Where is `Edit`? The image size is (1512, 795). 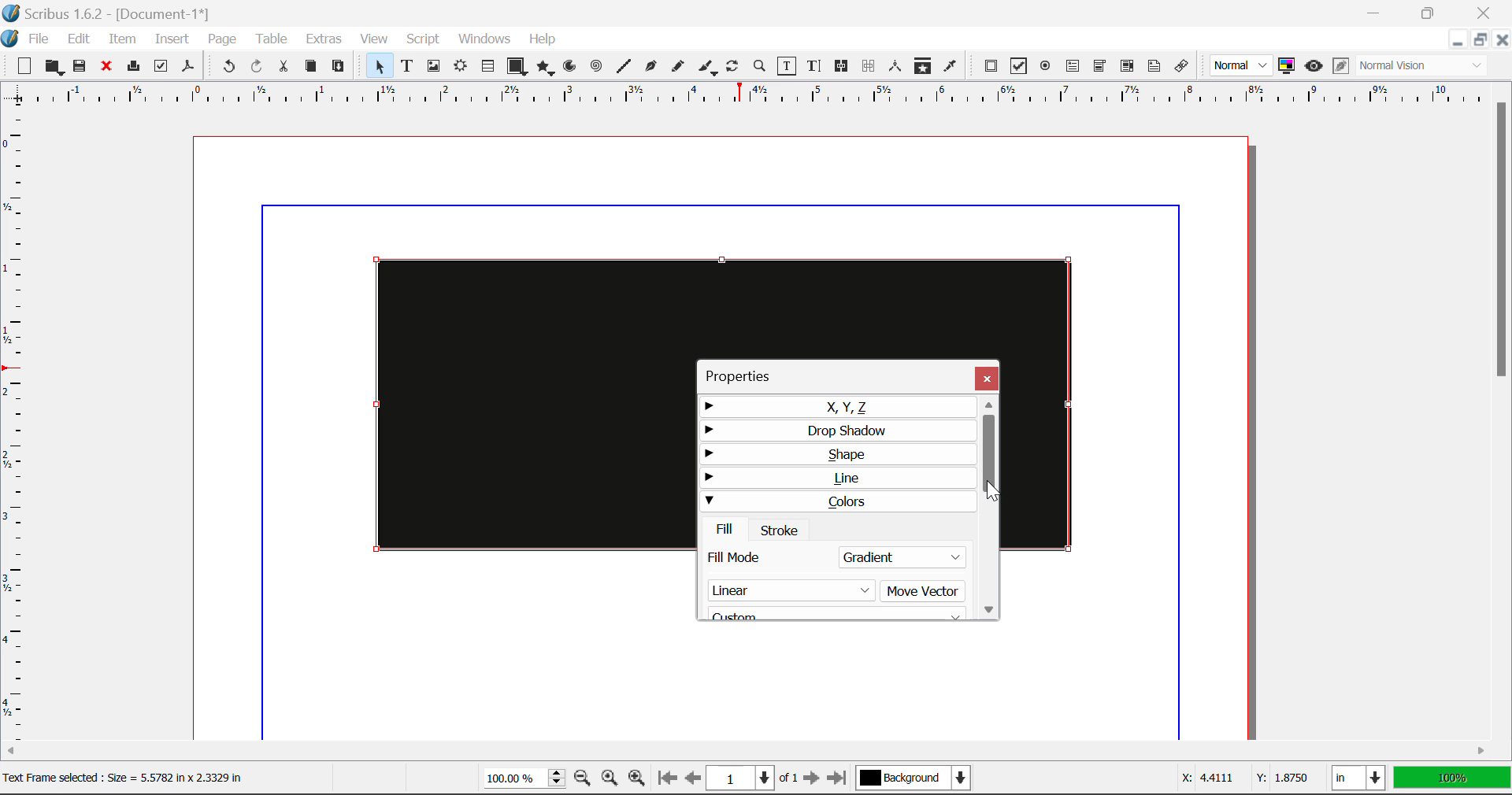
Edit is located at coordinates (79, 39).